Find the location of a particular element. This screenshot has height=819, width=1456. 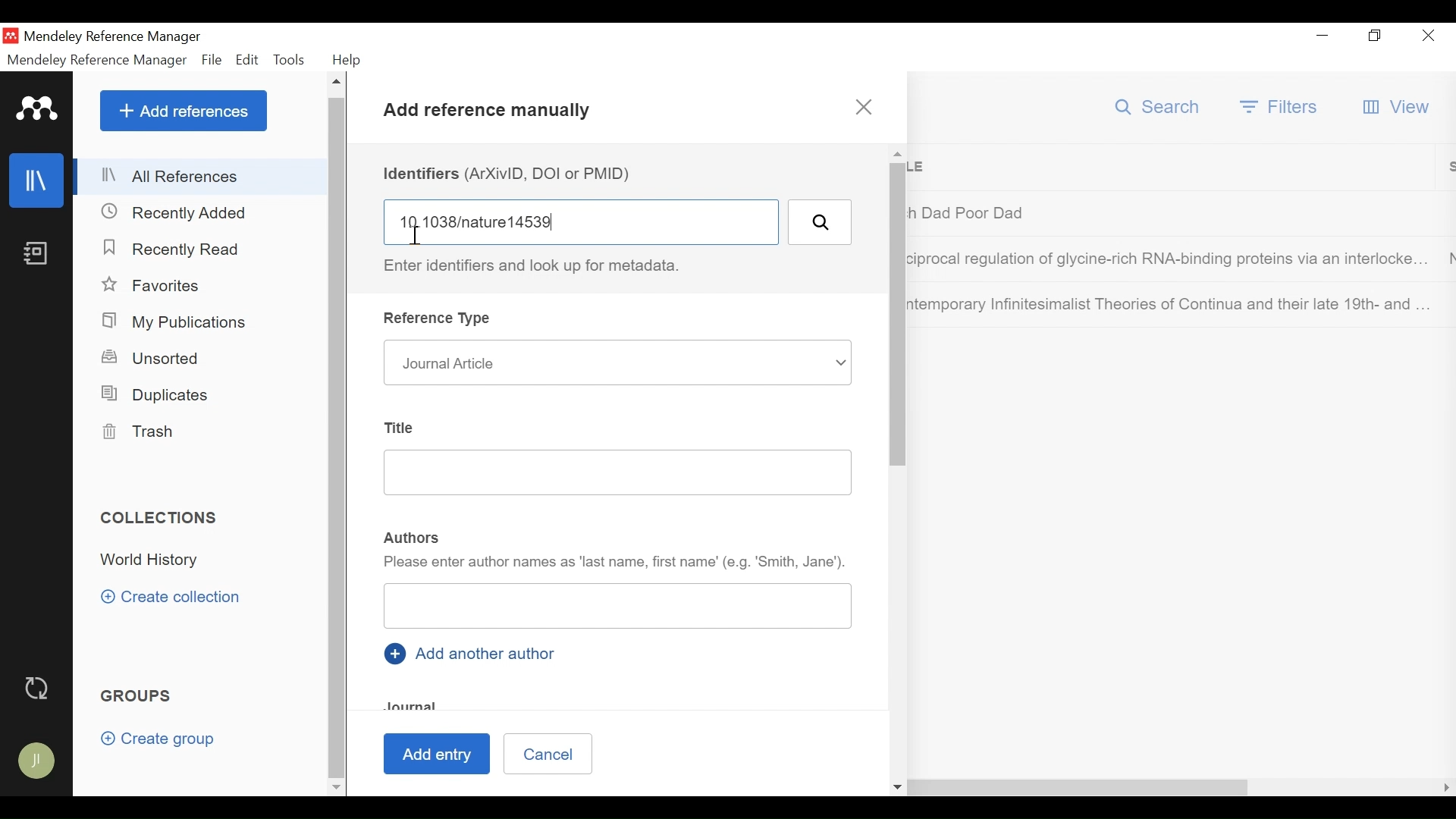

Scroll up is located at coordinates (336, 83).